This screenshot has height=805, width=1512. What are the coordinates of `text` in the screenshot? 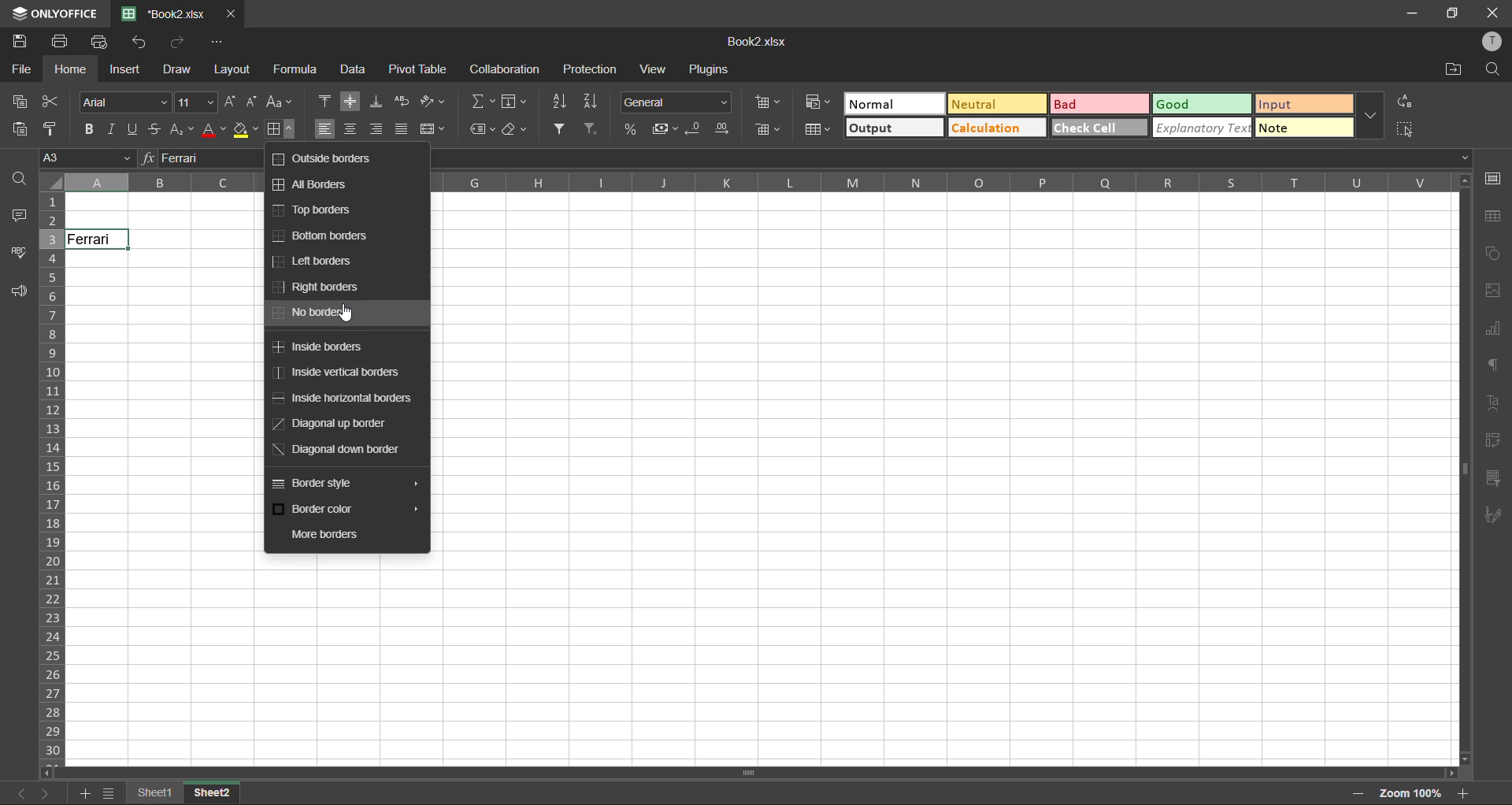 It's located at (1496, 402).